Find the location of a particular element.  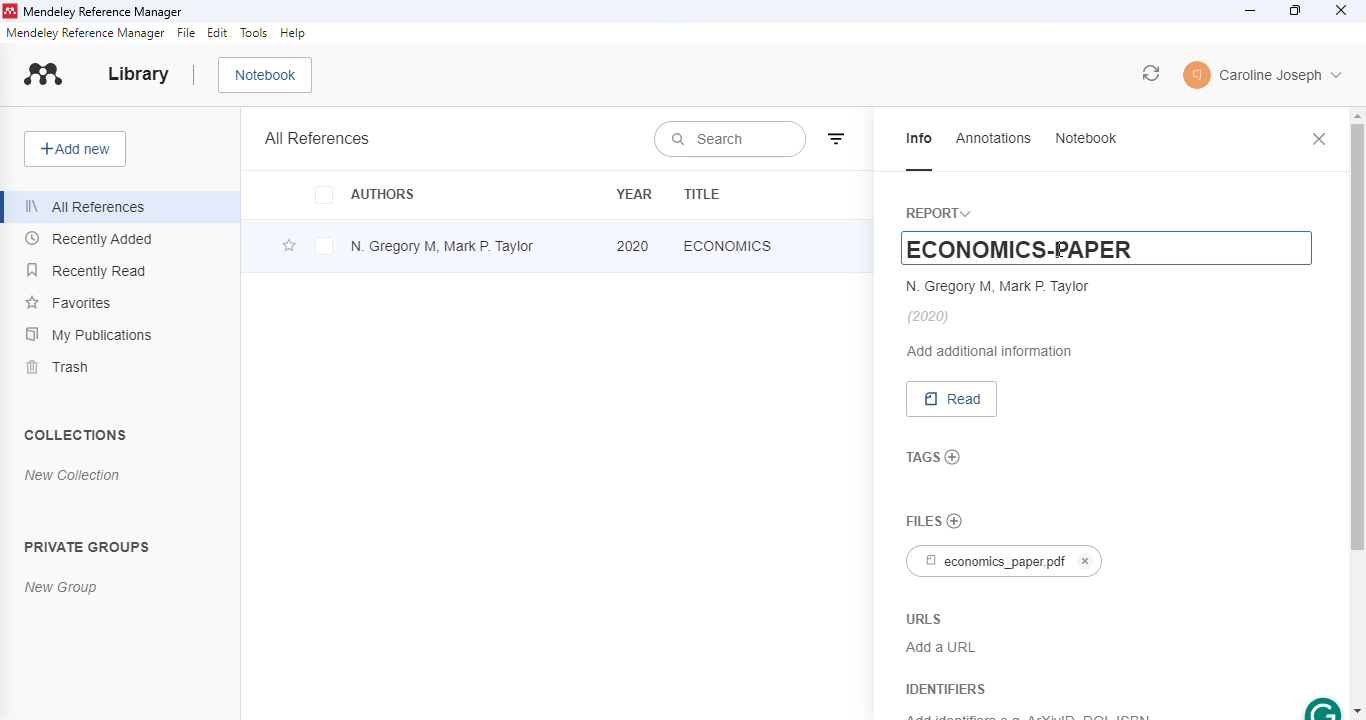

favorites is located at coordinates (69, 302).